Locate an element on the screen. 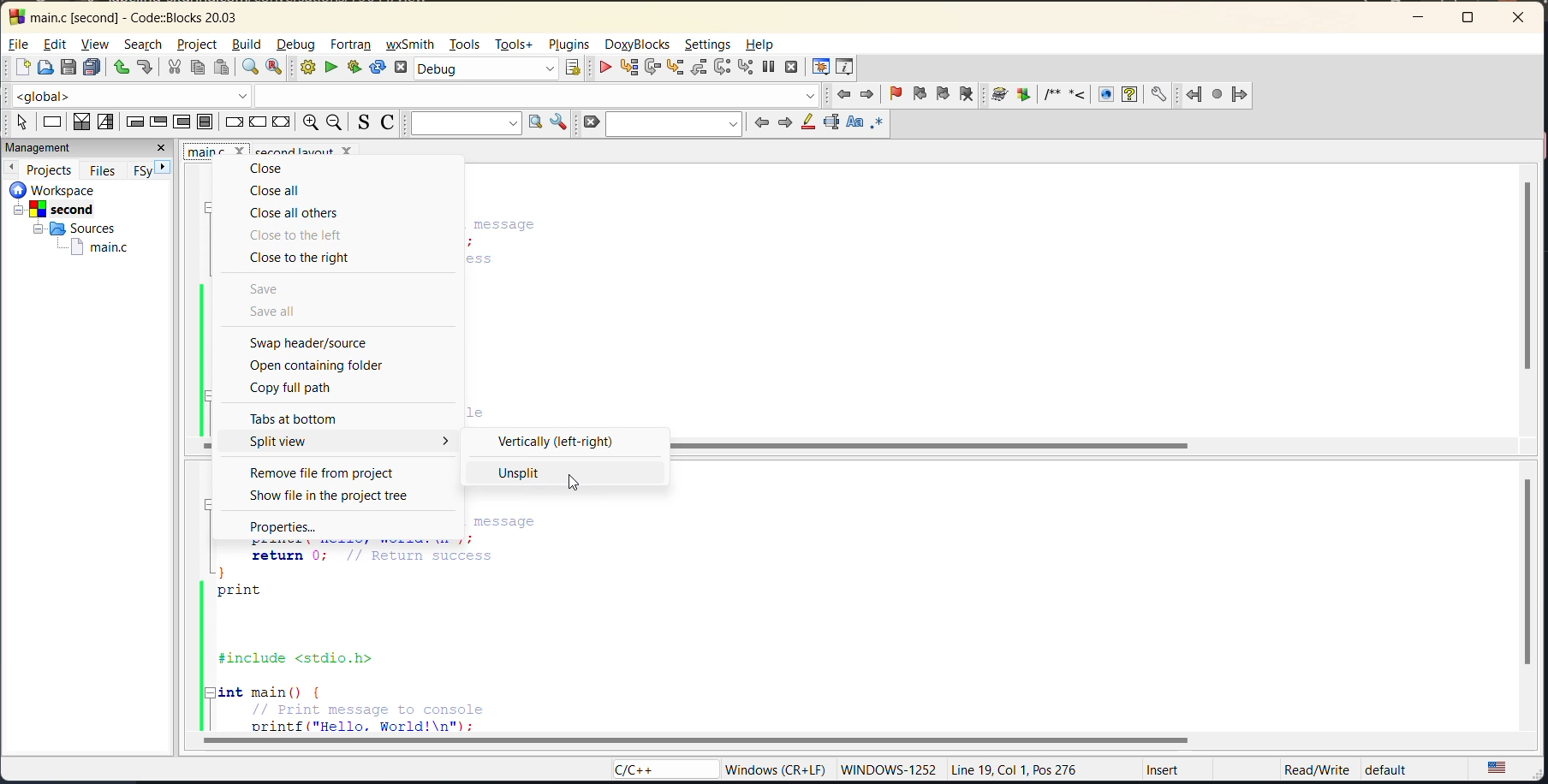 The width and height of the screenshot is (1548, 784). build is located at coordinates (250, 46).